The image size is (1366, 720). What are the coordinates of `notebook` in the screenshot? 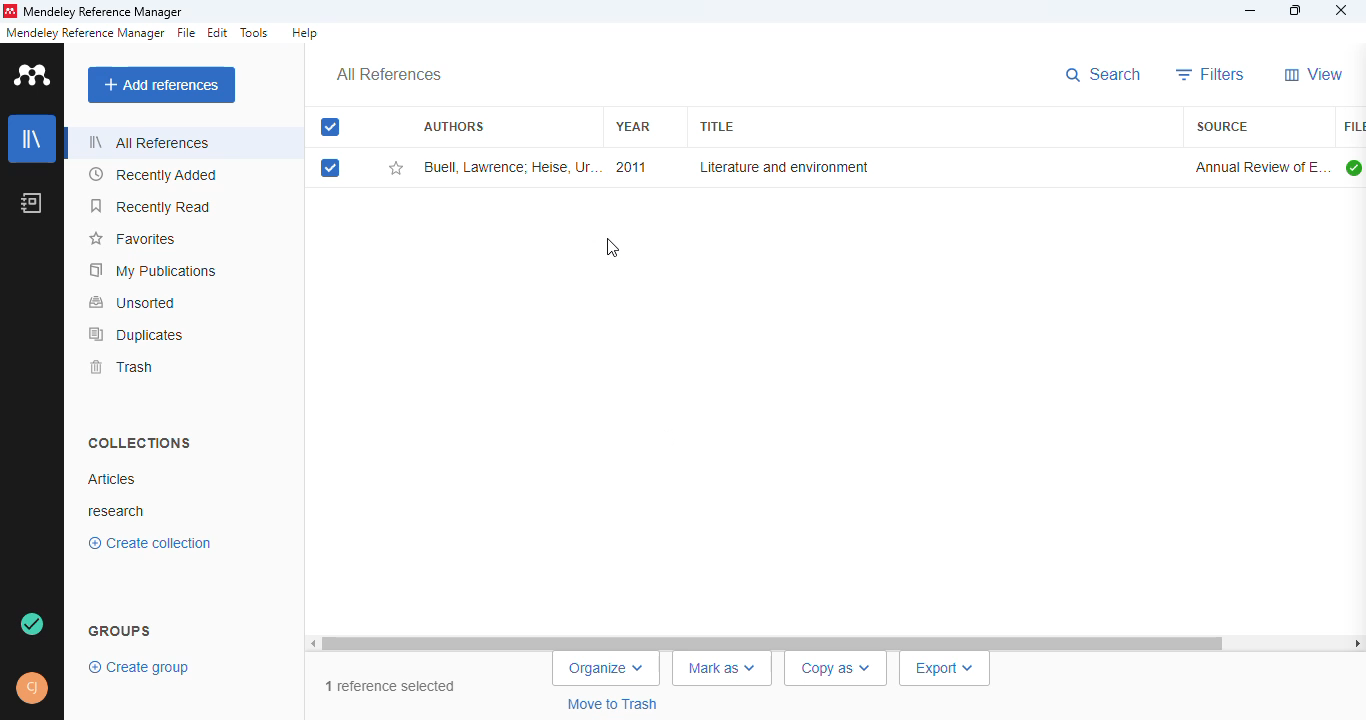 It's located at (31, 203).